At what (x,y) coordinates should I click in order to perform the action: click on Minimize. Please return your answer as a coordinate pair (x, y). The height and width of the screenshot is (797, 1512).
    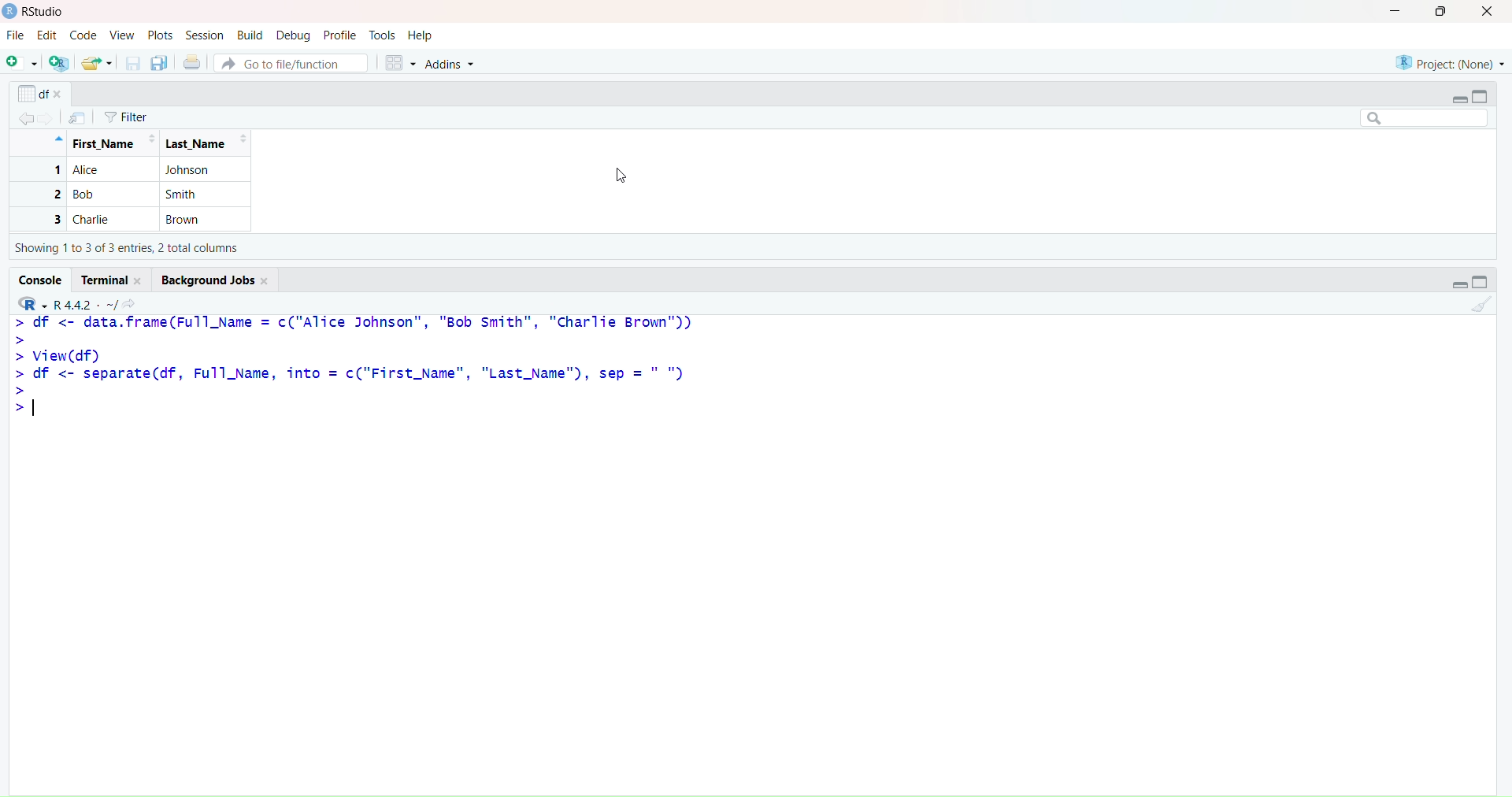
    Looking at the image, I should click on (1396, 14).